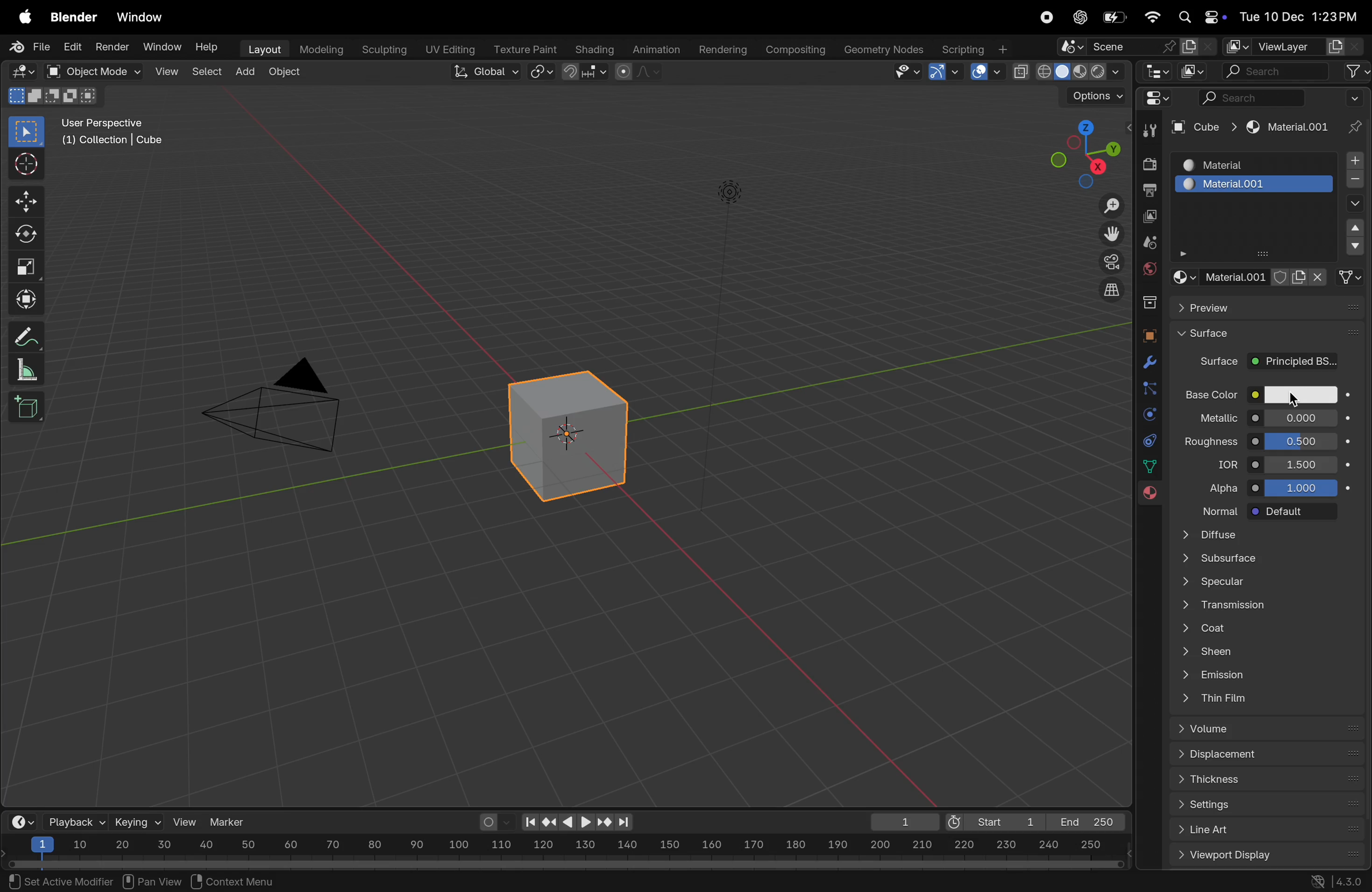 This screenshot has width=1372, height=892. Describe the element at coordinates (1304, 463) in the screenshot. I see `1.400` at that location.